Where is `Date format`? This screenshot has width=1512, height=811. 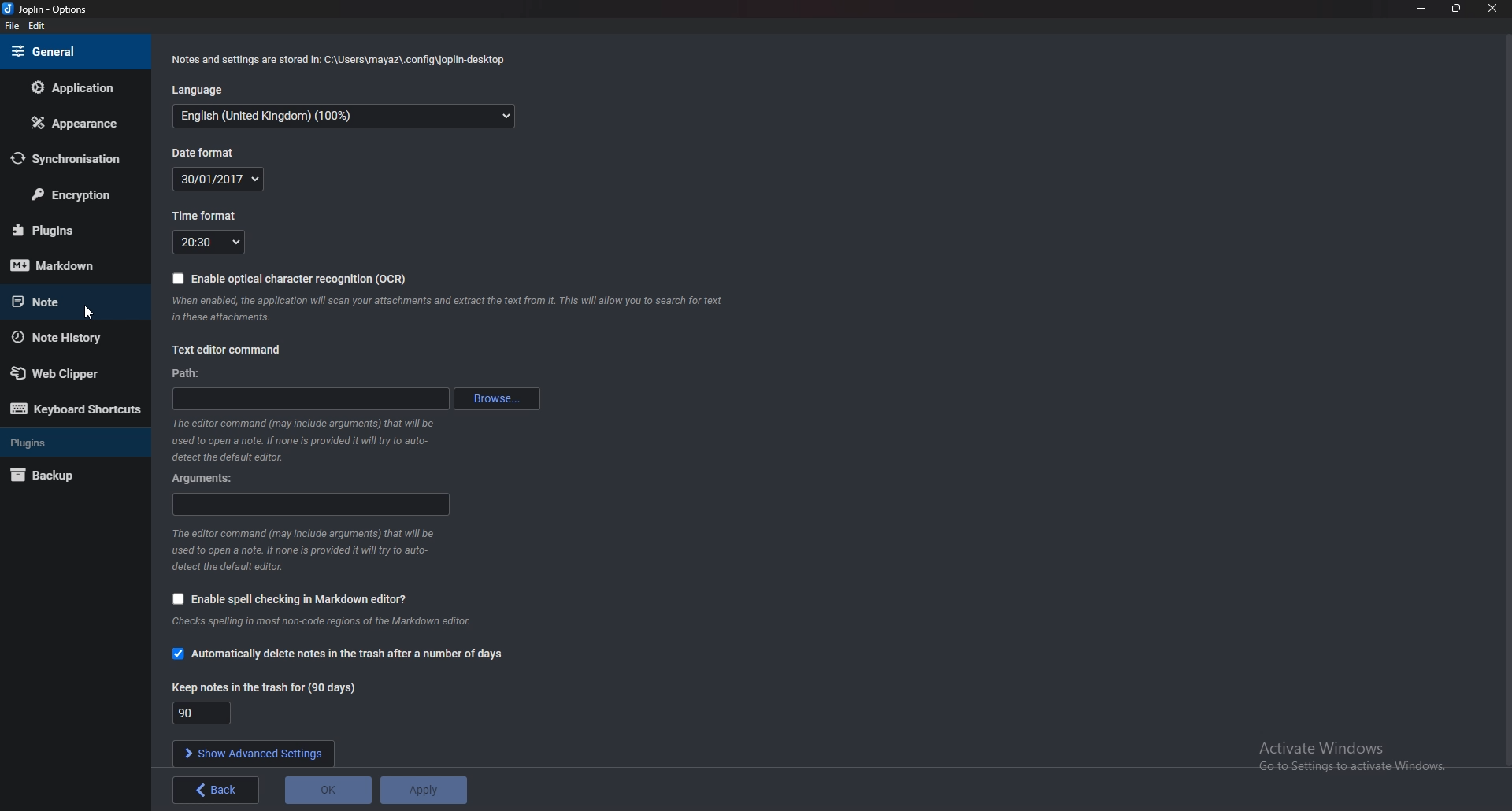 Date format is located at coordinates (205, 153).